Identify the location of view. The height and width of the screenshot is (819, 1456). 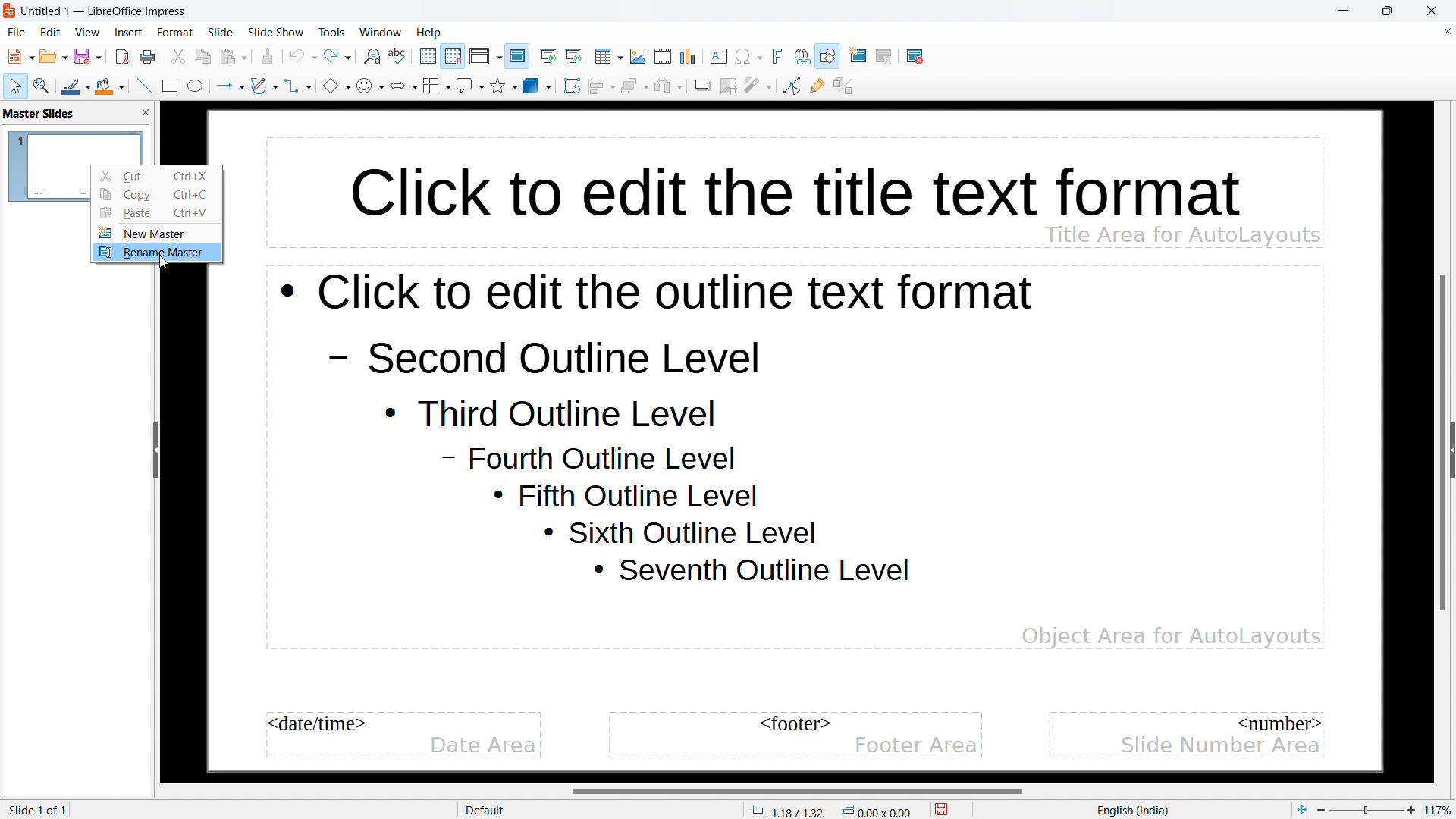
(87, 33).